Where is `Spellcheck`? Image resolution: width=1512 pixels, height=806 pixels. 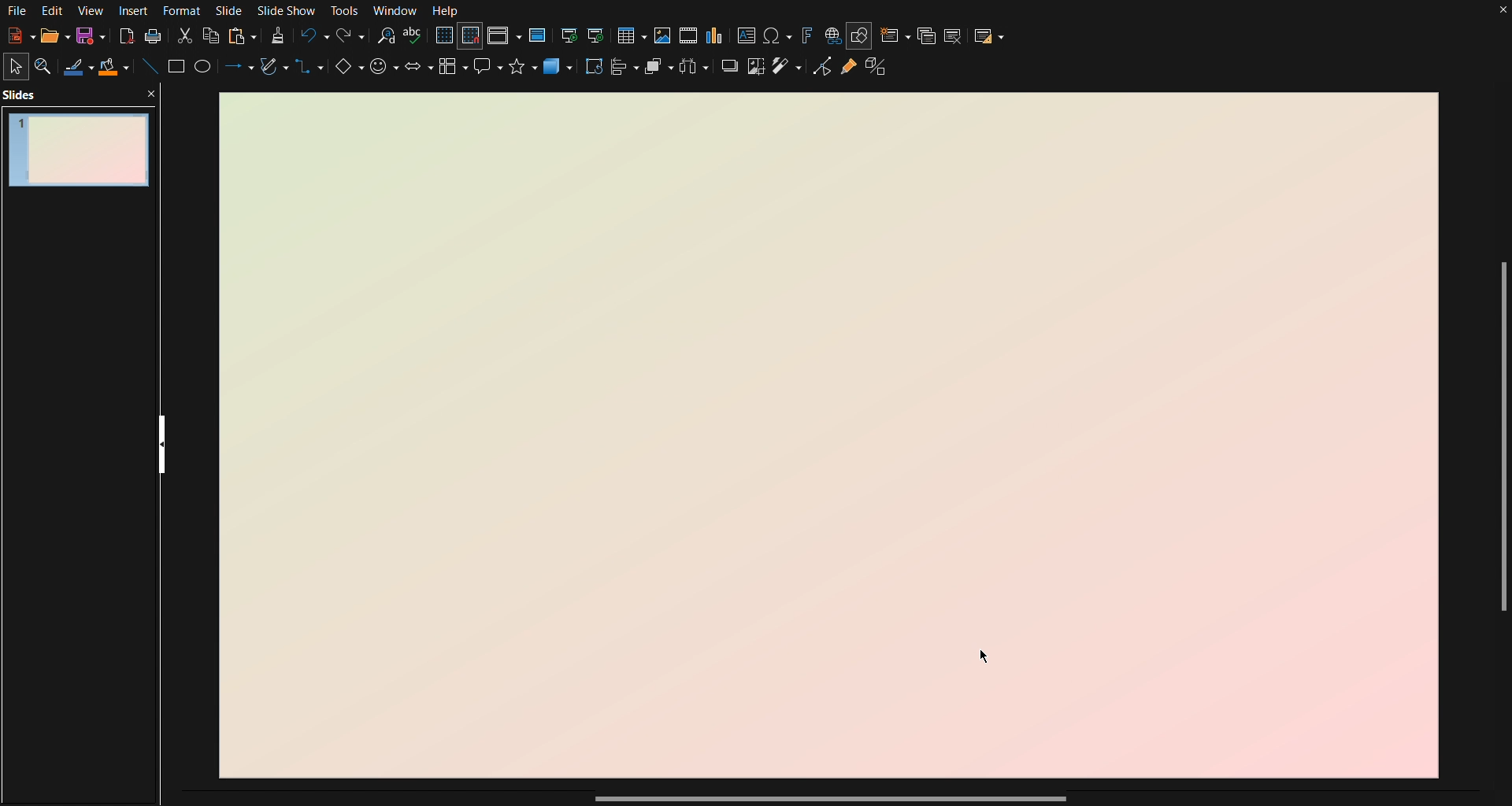
Spellcheck is located at coordinates (414, 37).